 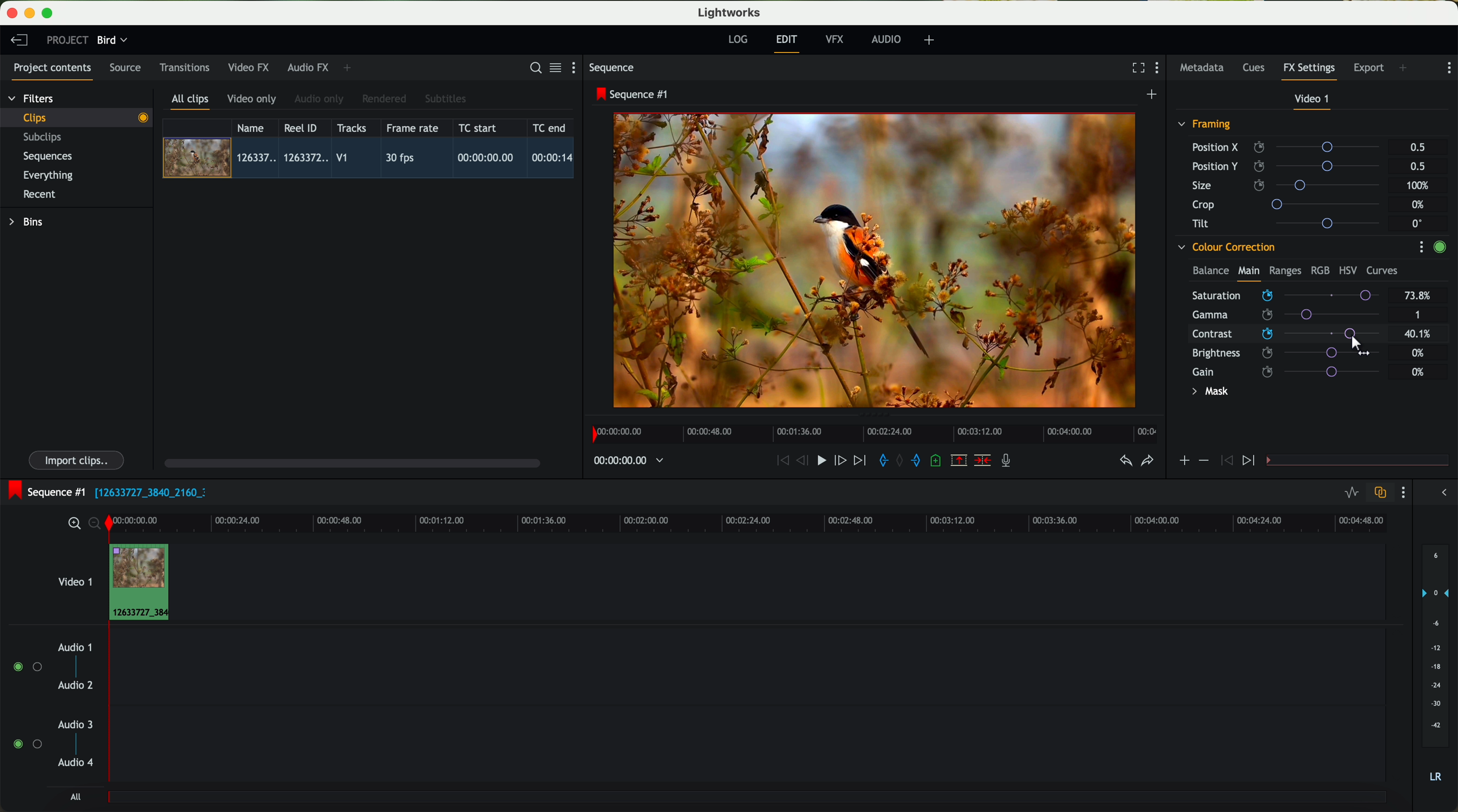 What do you see at coordinates (1319, 269) in the screenshot?
I see `RGB` at bounding box center [1319, 269].